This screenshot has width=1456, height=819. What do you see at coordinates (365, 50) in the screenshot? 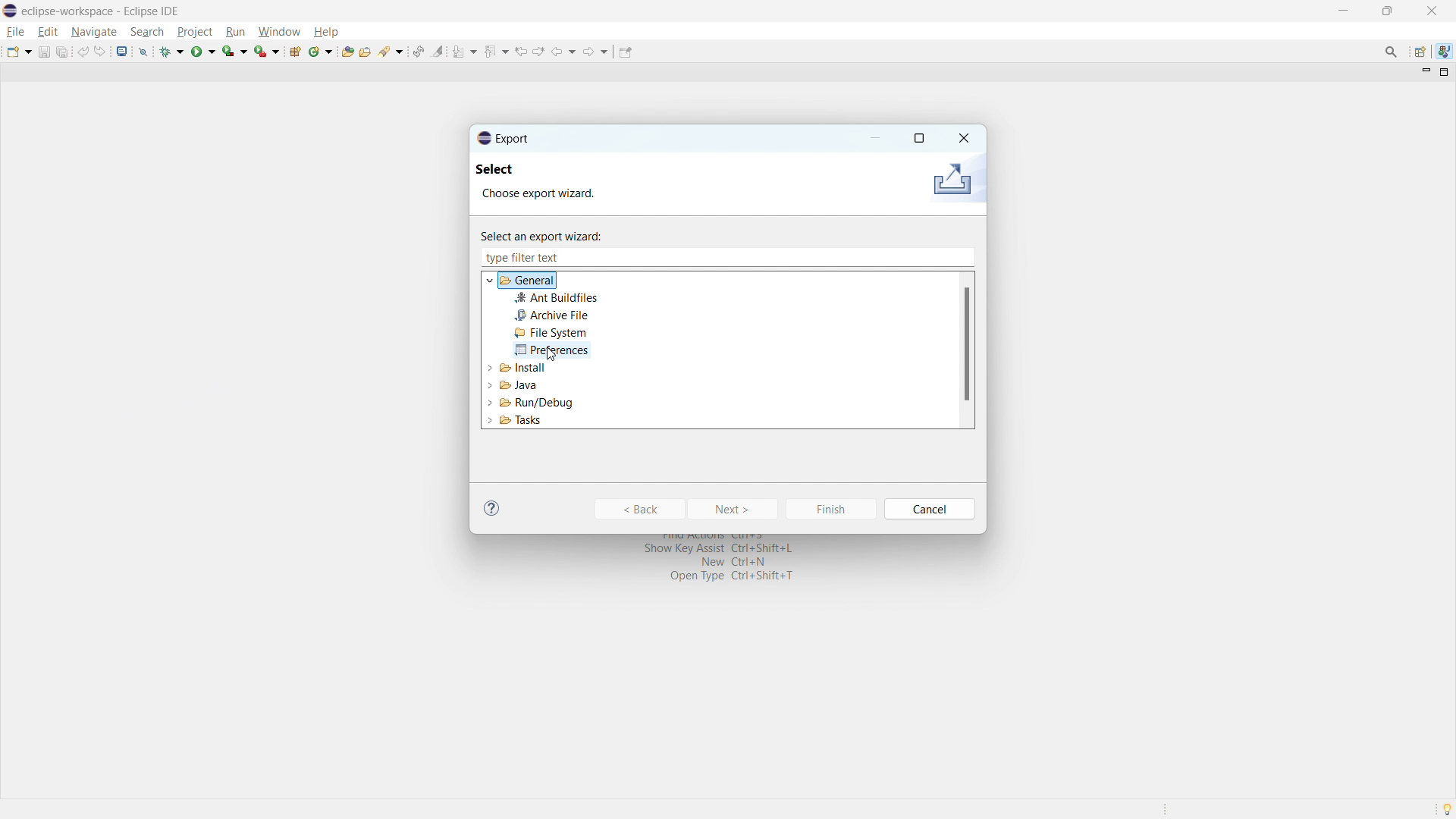
I see `open task` at bounding box center [365, 50].